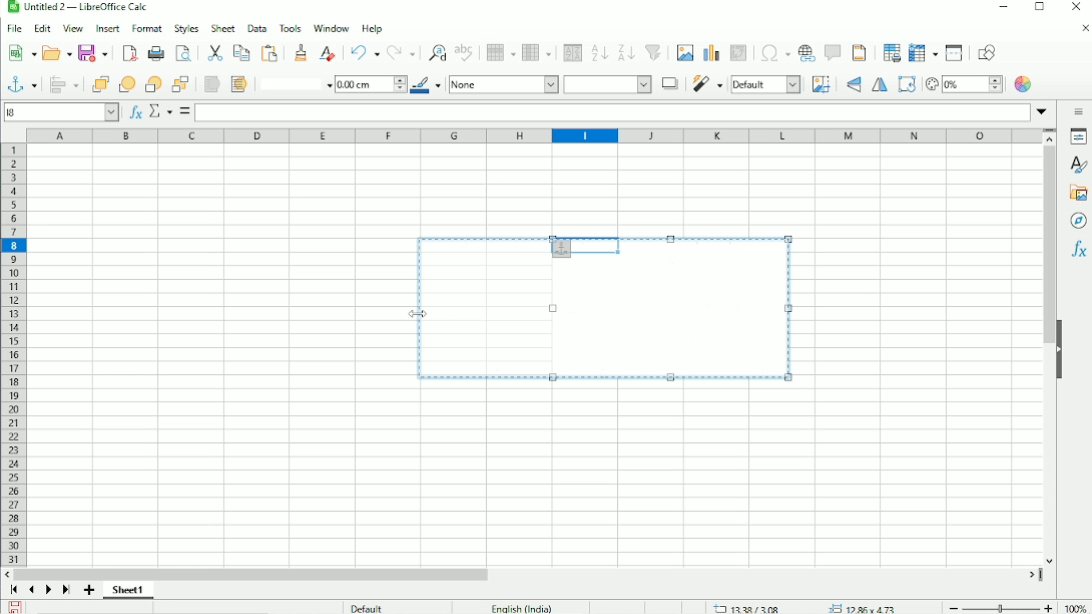 The height and width of the screenshot is (614, 1092). Describe the element at coordinates (859, 53) in the screenshot. I see `Headers and footers` at that location.